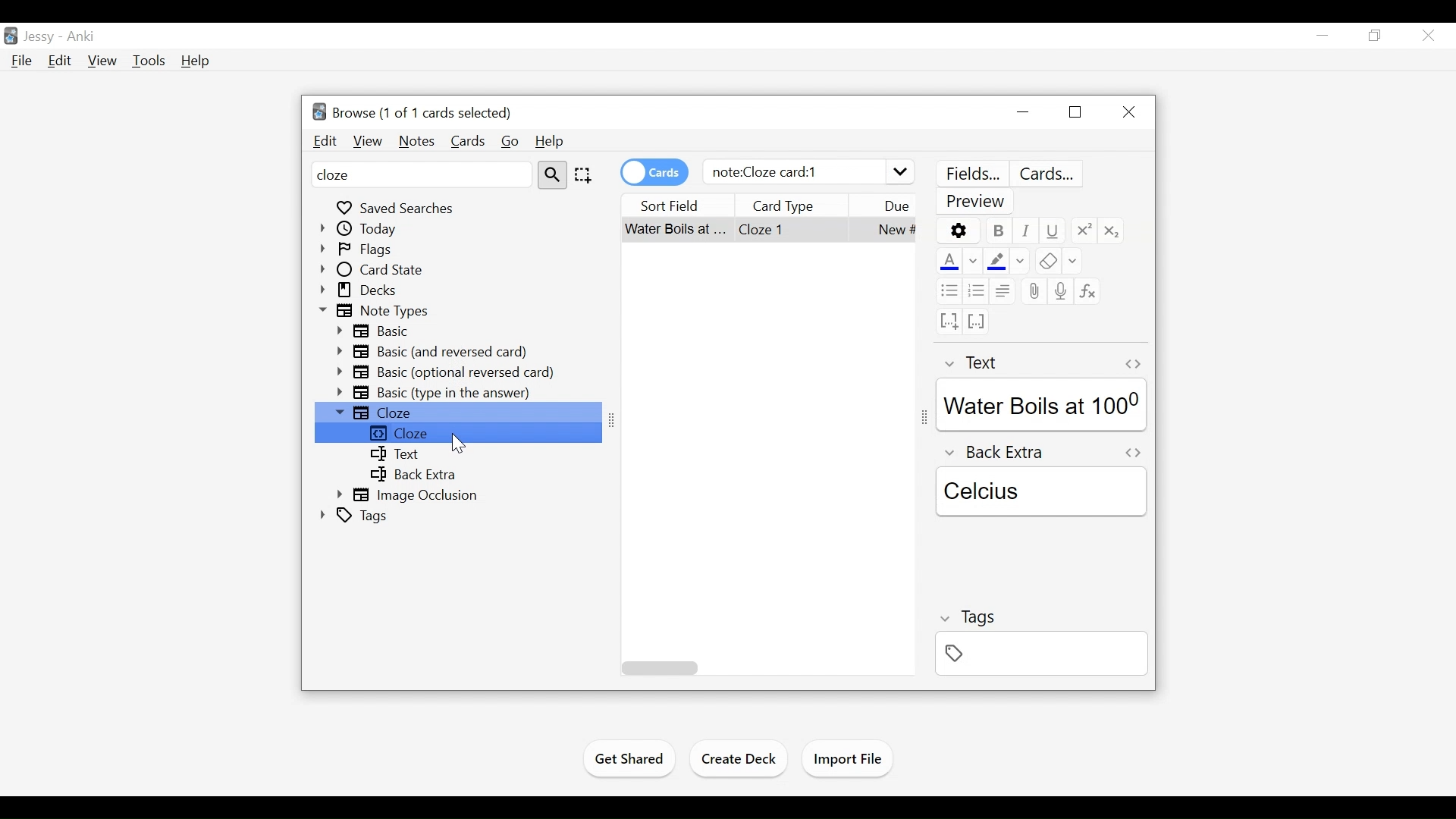  Describe the element at coordinates (397, 207) in the screenshot. I see `Saved Searches` at that location.